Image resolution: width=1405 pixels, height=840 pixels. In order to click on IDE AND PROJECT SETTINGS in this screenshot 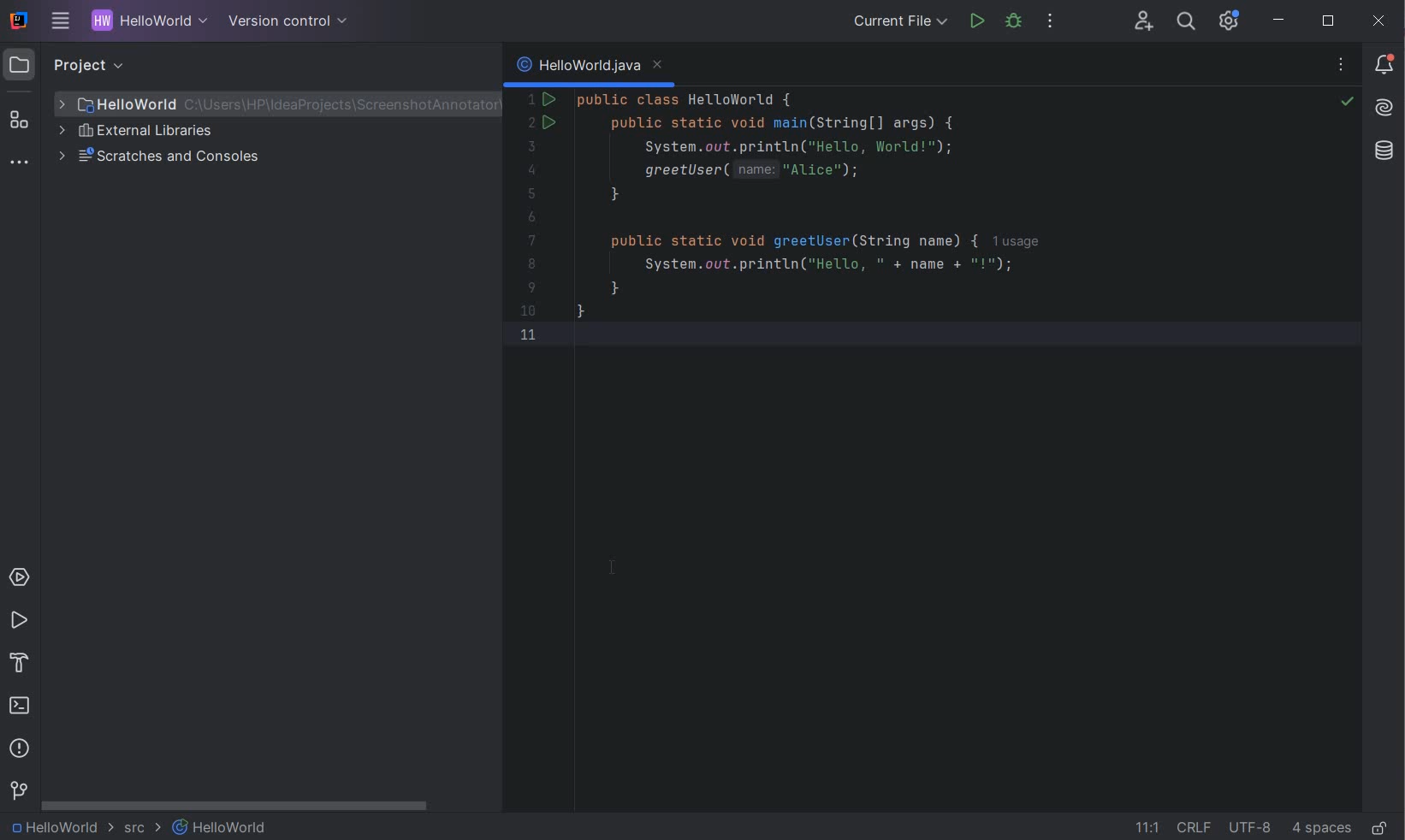, I will do `click(1227, 21)`.